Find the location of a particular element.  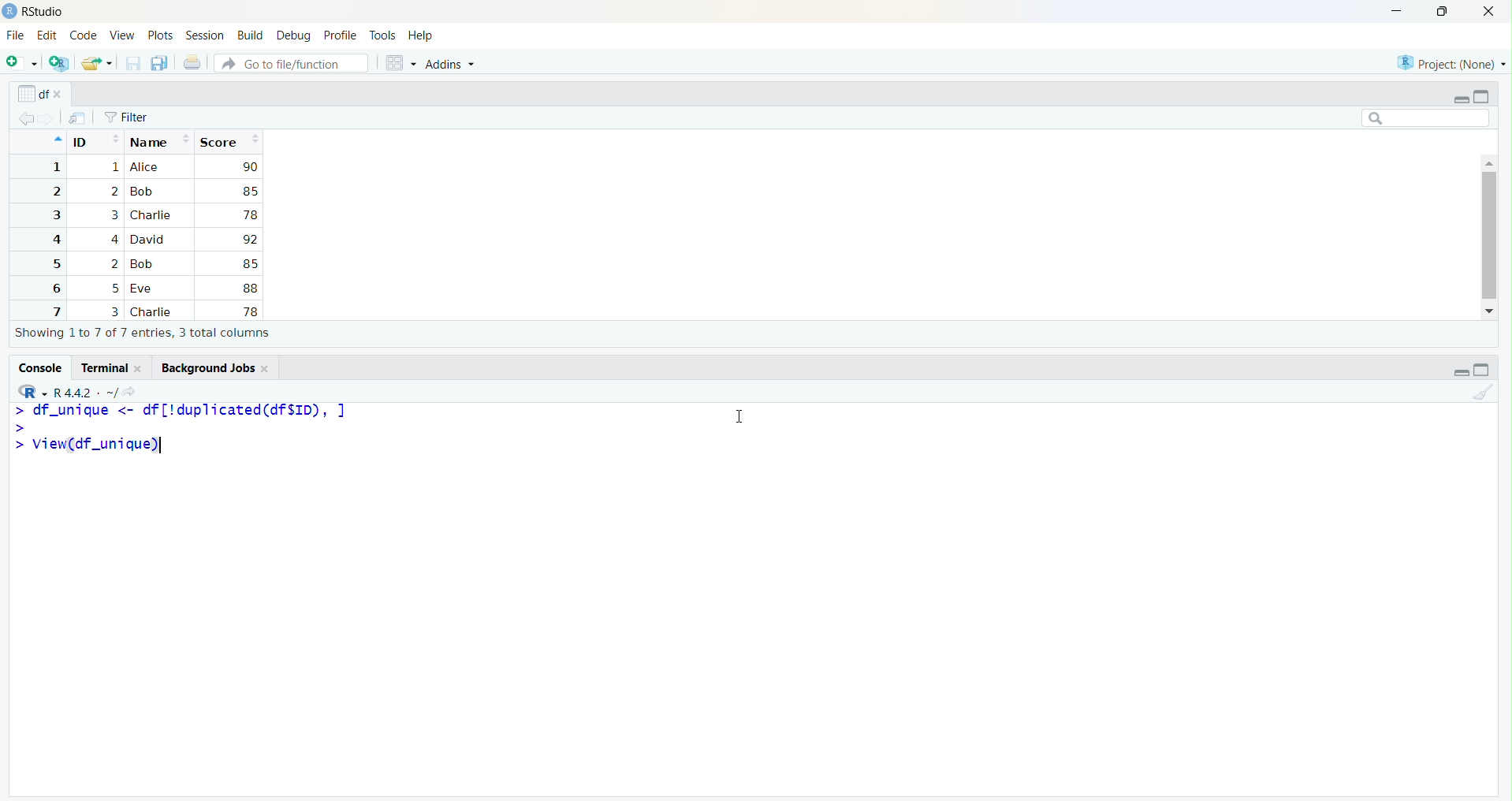

4 is located at coordinates (113, 239).